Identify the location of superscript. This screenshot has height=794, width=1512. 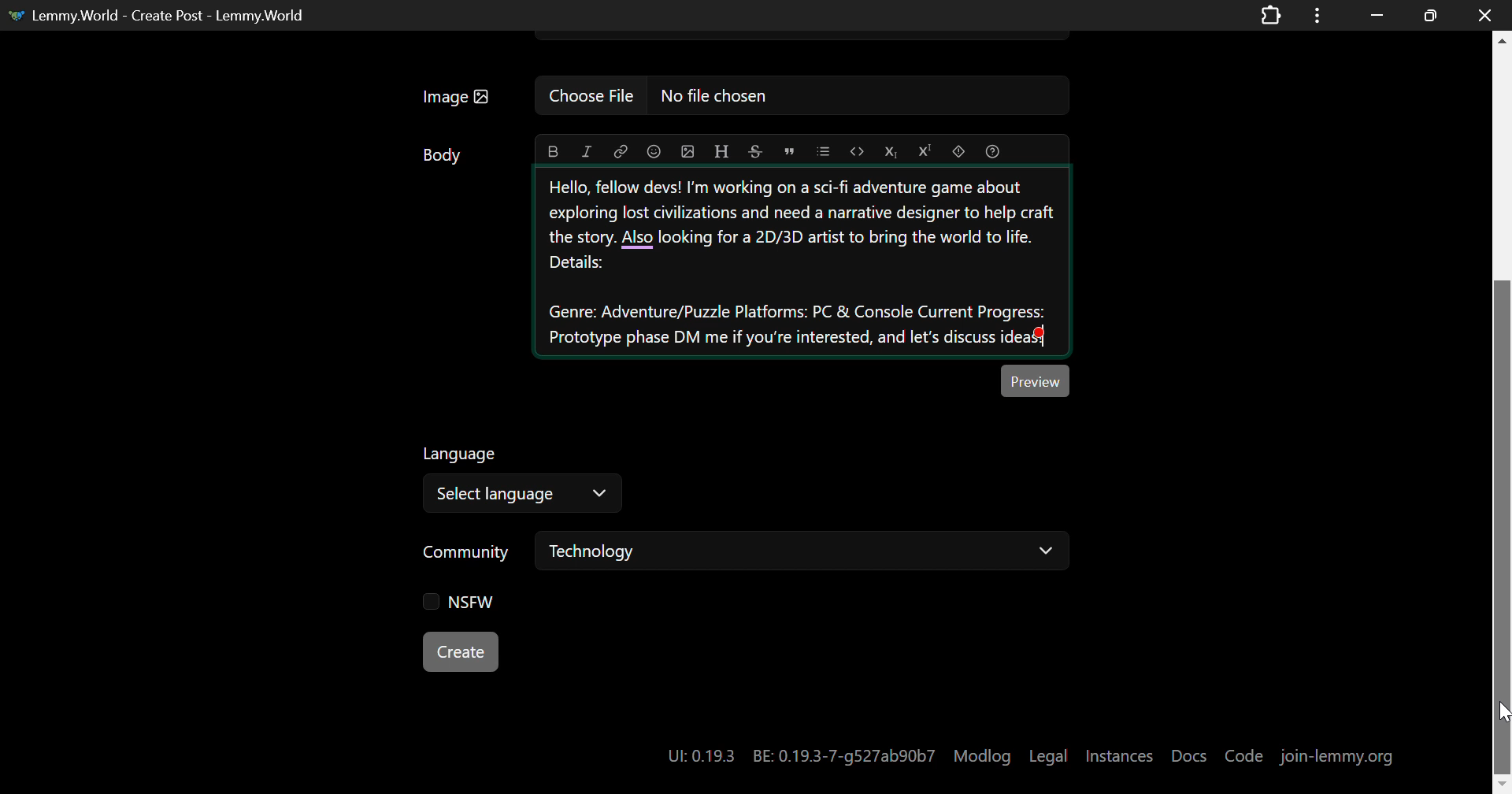
(925, 151).